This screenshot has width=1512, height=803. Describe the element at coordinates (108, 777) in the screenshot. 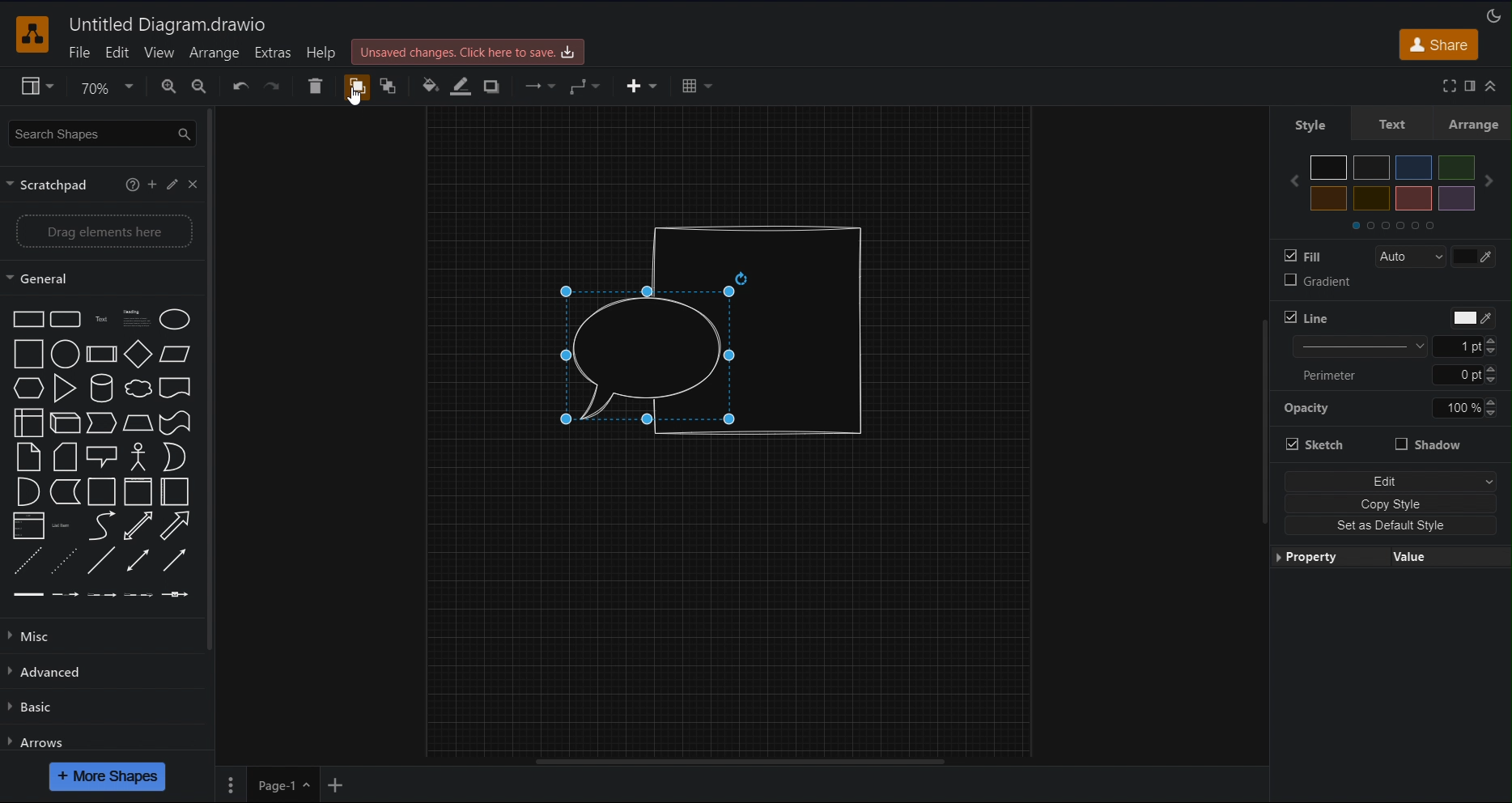

I see `More Shapes` at that location.